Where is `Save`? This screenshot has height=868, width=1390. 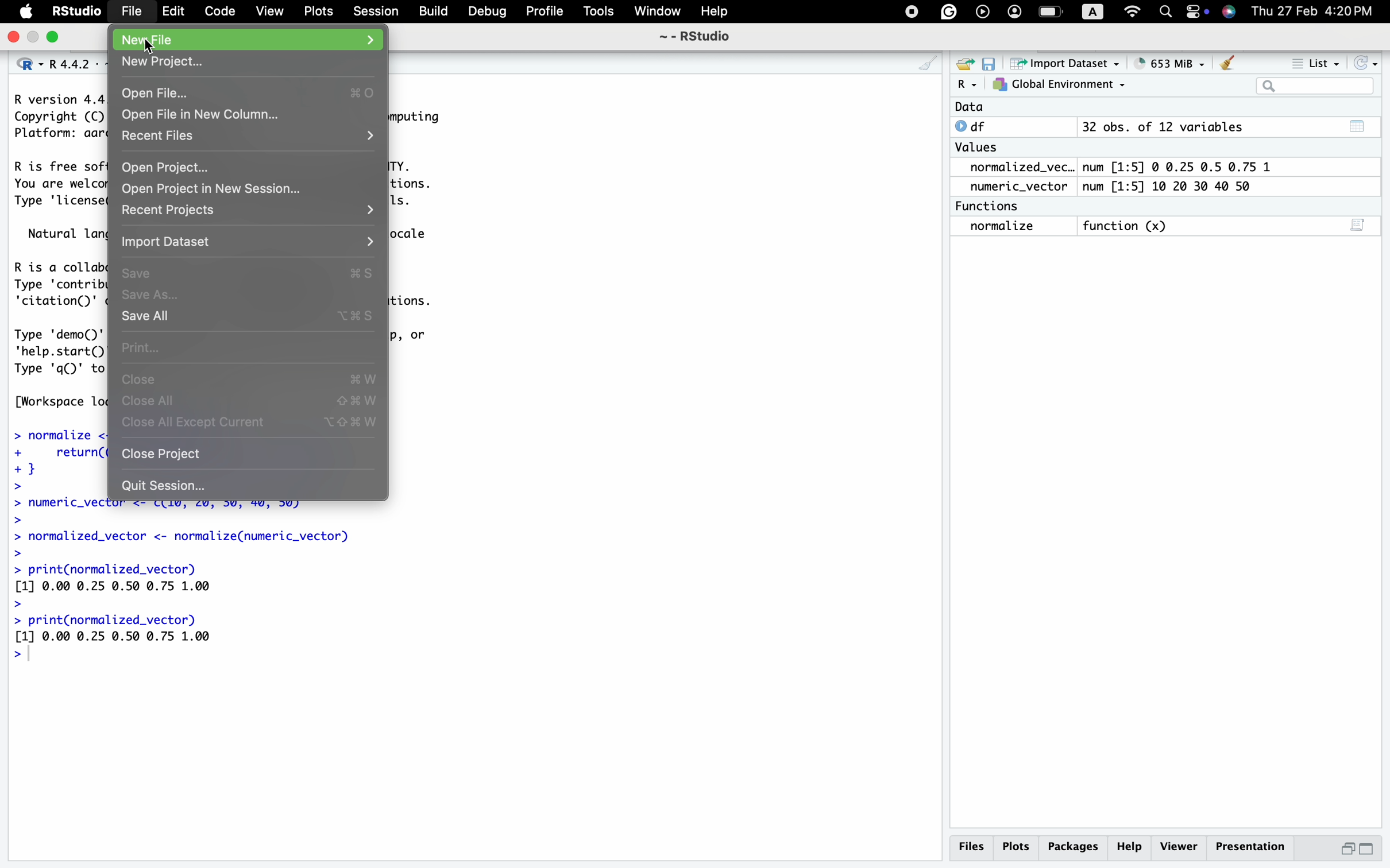 Save is located at coordinates (990, 63).